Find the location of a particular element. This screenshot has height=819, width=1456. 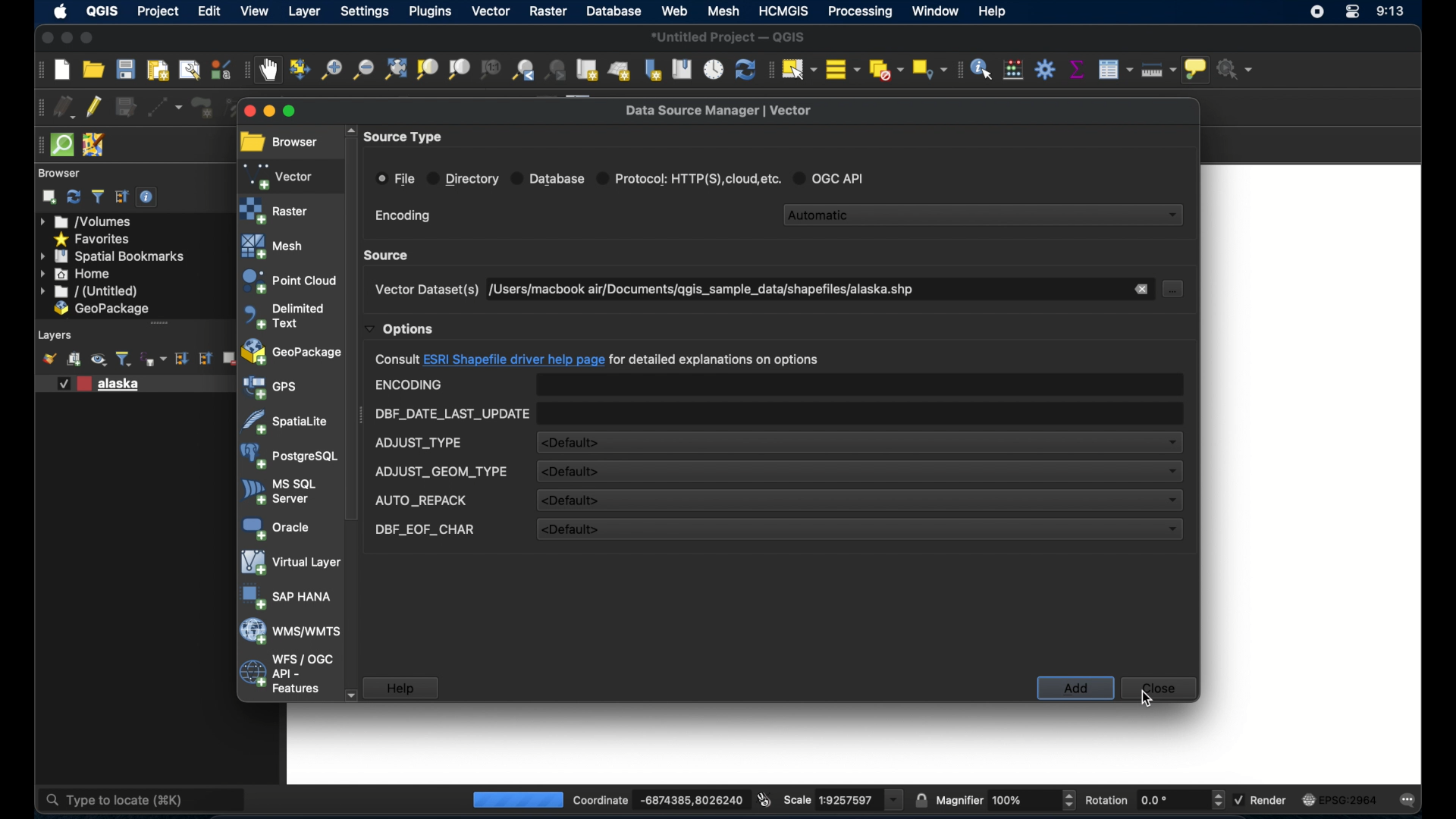

maximize is located at coordinates (301, 113).